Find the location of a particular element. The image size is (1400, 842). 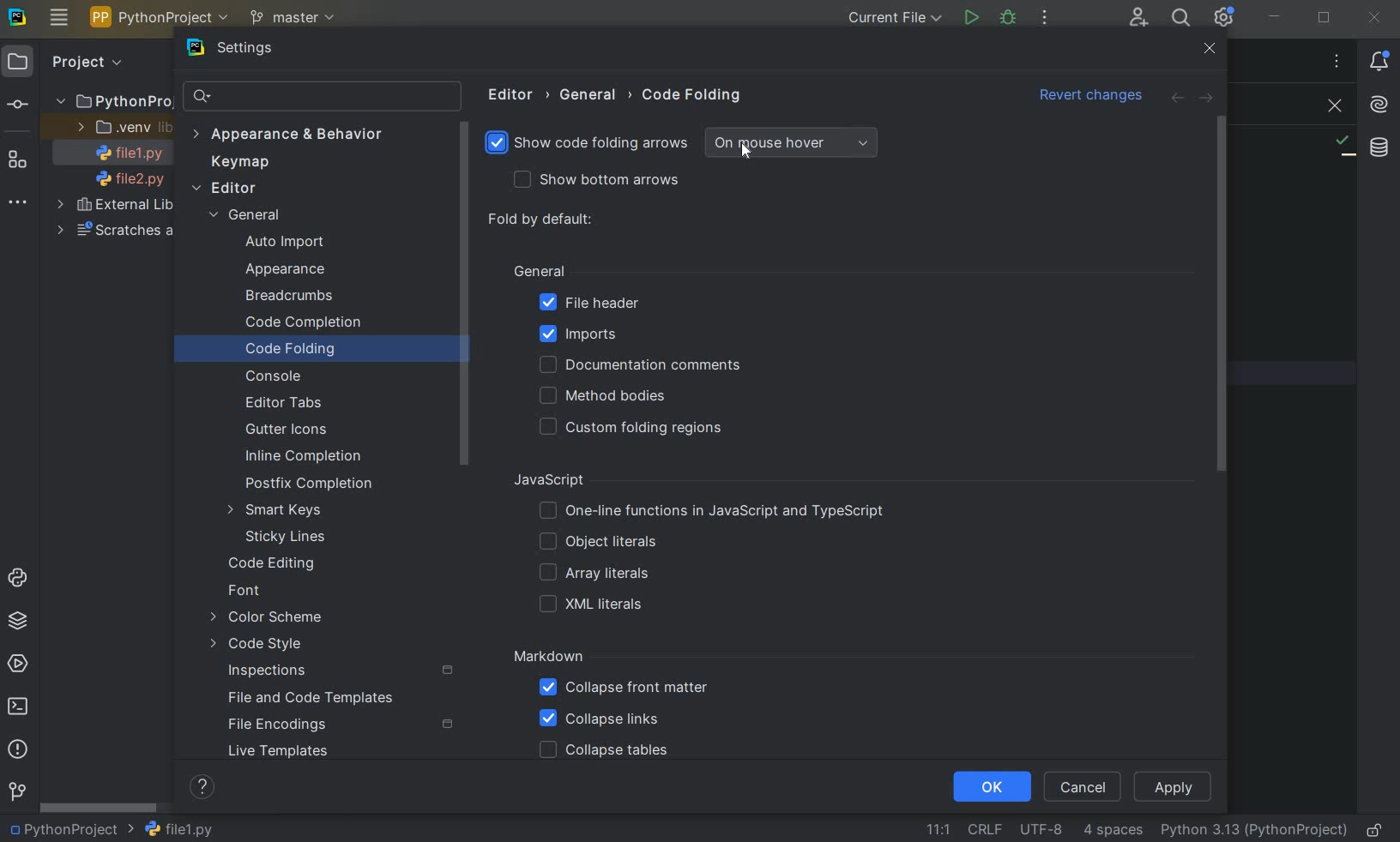

CODE WITH ME is located at coordinates (1137, 17).